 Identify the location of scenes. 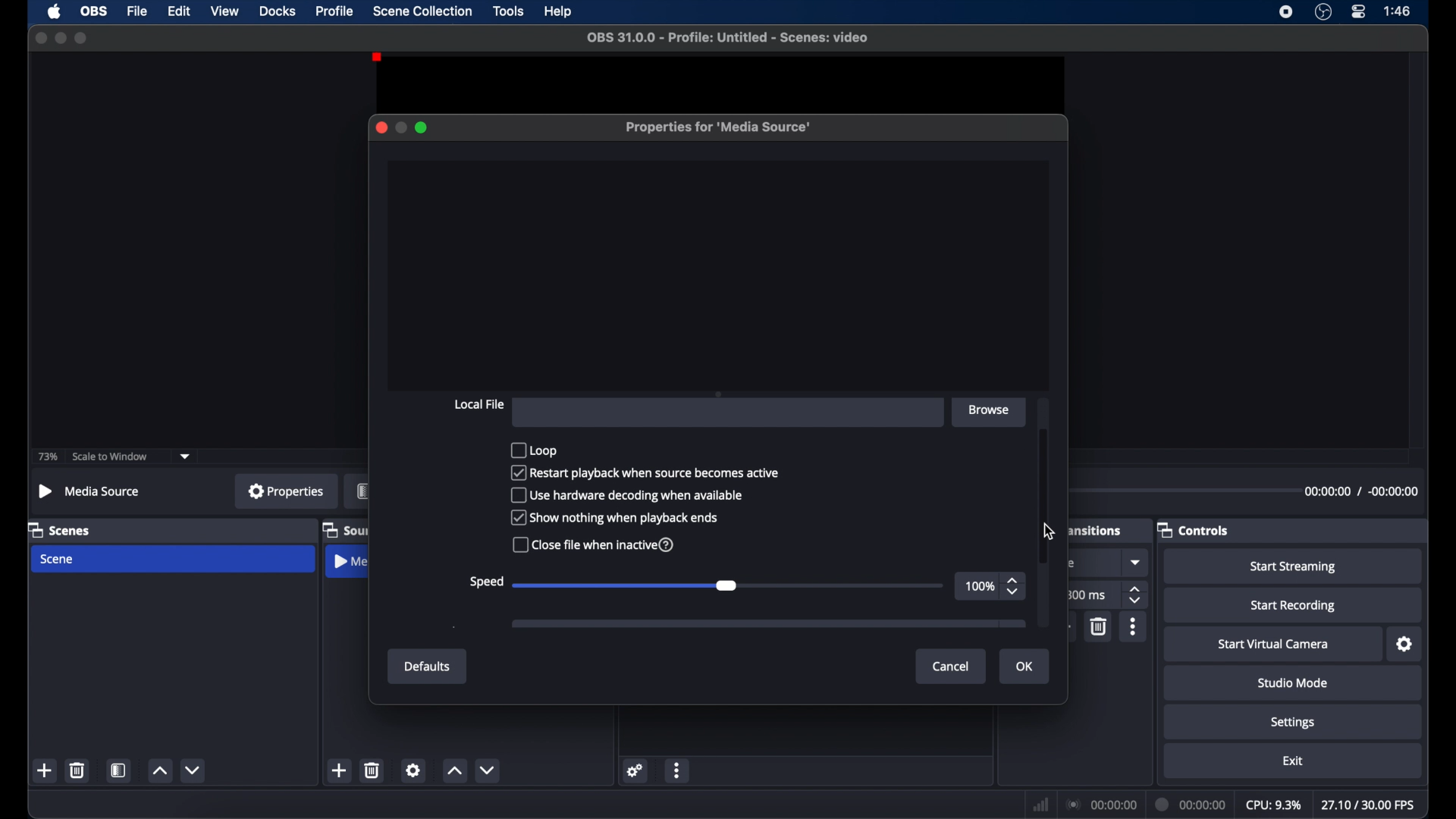
(58, 531).